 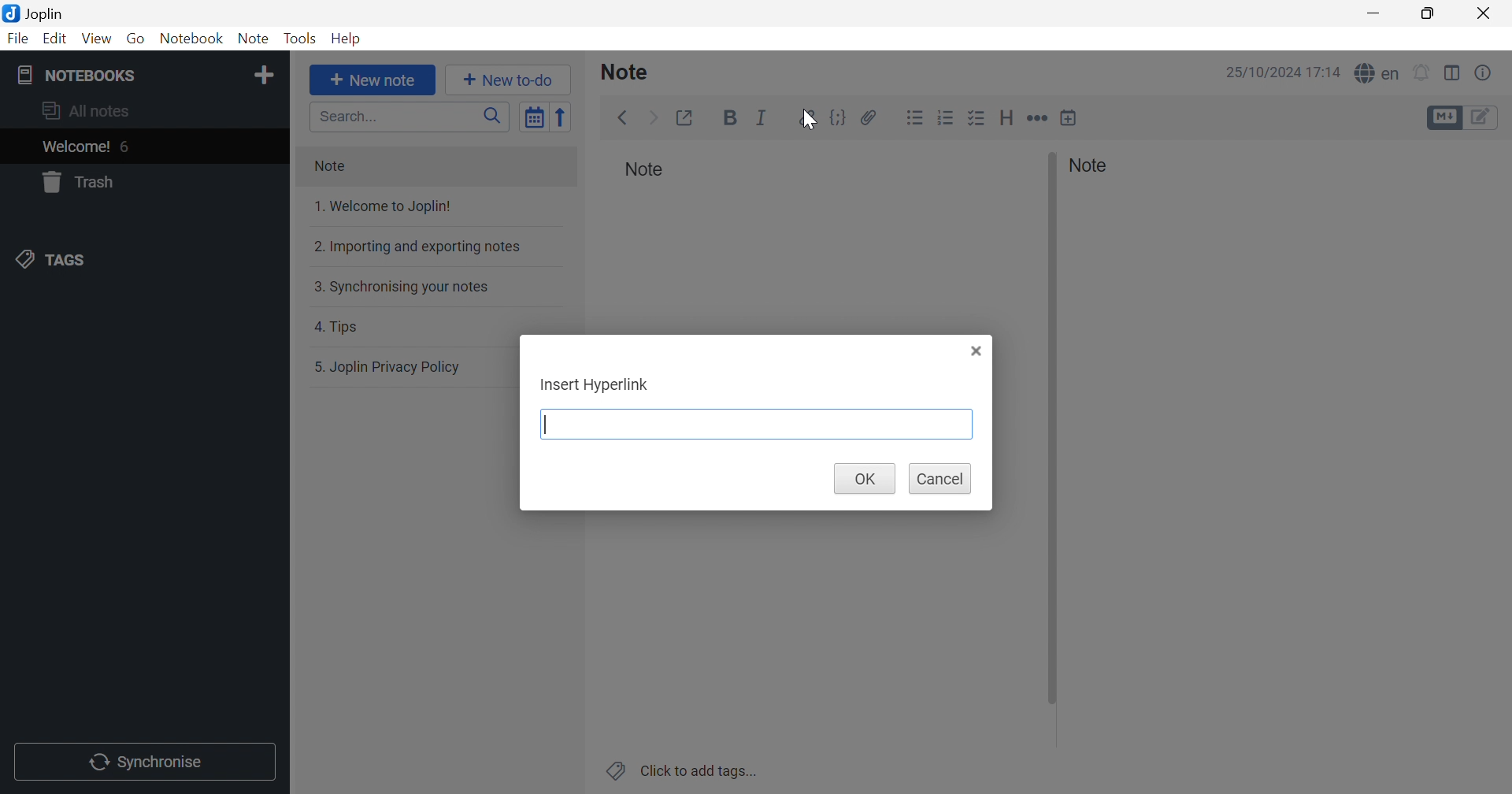 What do you see at coordinates (433, 247) in the screenshot?
I see `2. Importing and exporting notes` at bounding box center [433, 247].